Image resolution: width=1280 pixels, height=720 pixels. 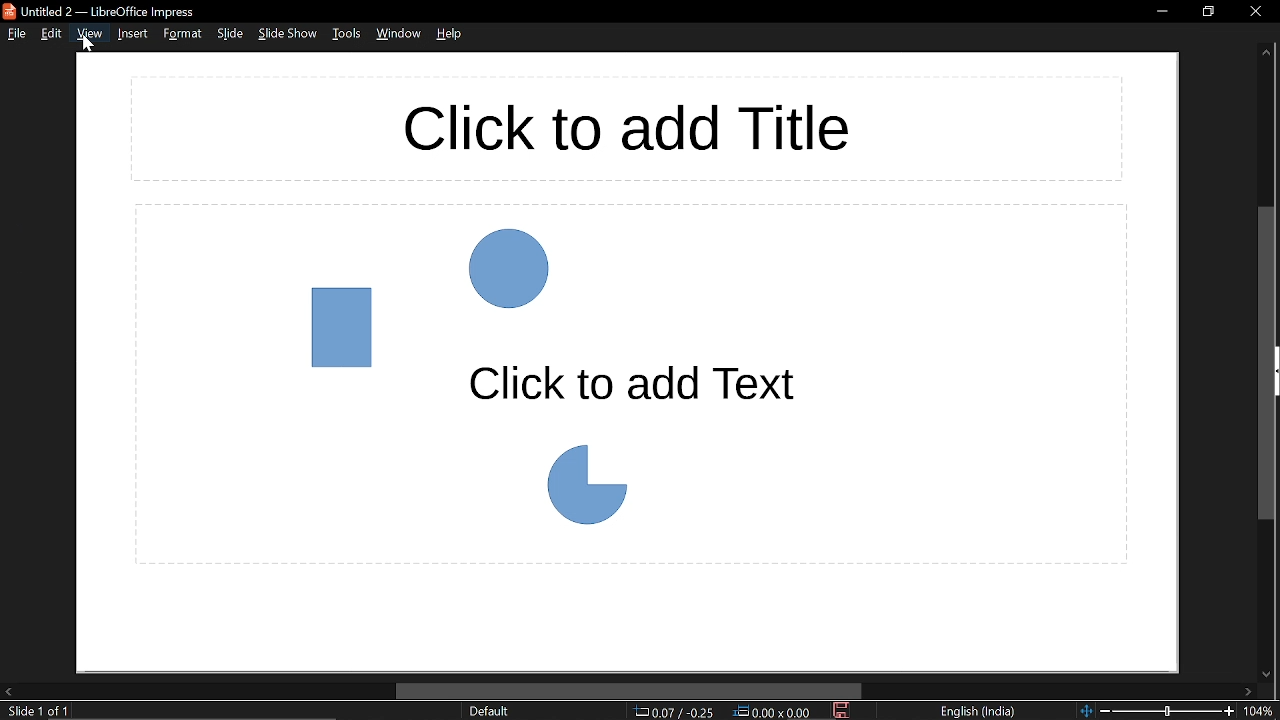 I want to click on Current window, so click(x=125, y=10).